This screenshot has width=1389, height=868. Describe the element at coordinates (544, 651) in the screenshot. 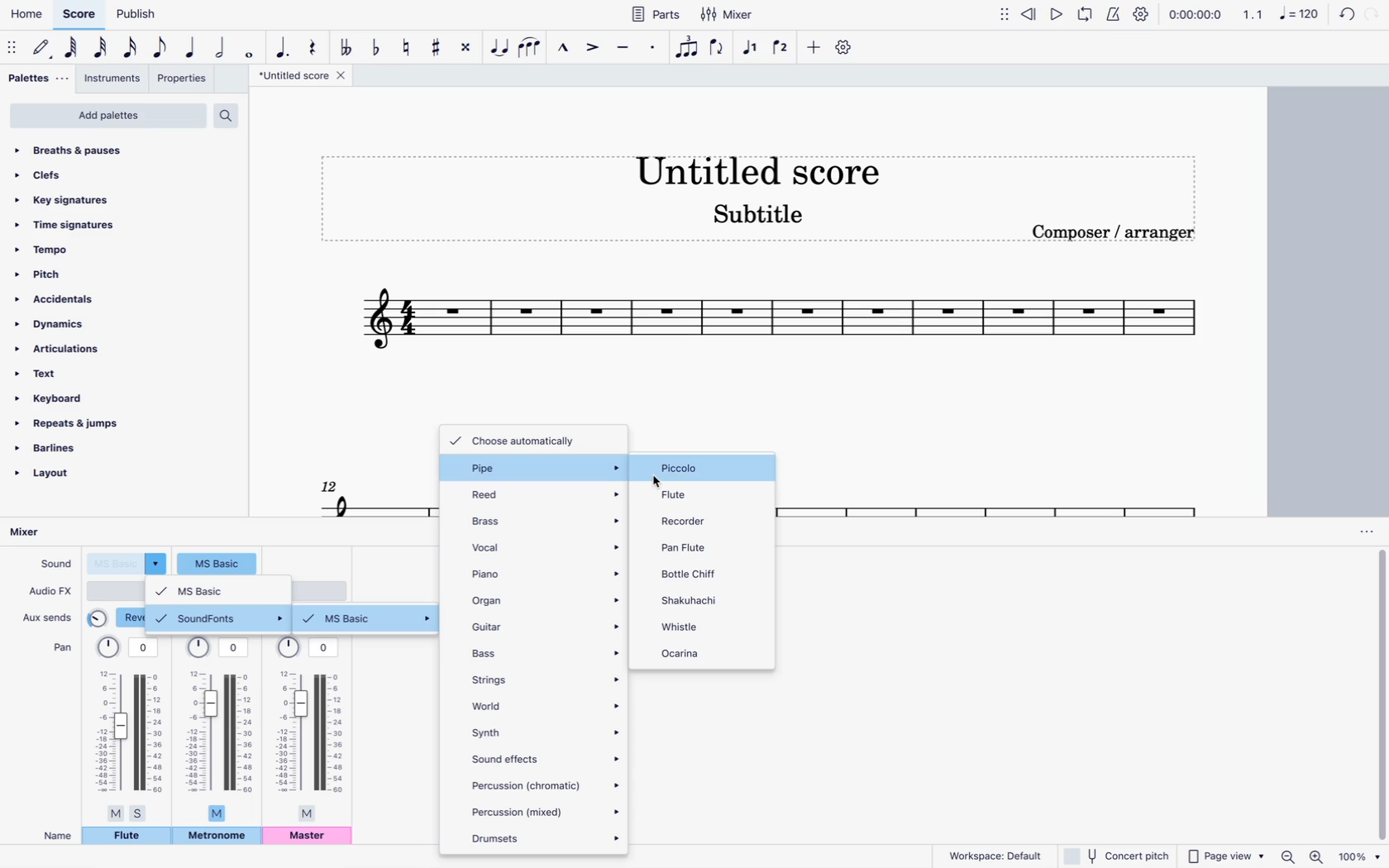

I see `bass` at that location.